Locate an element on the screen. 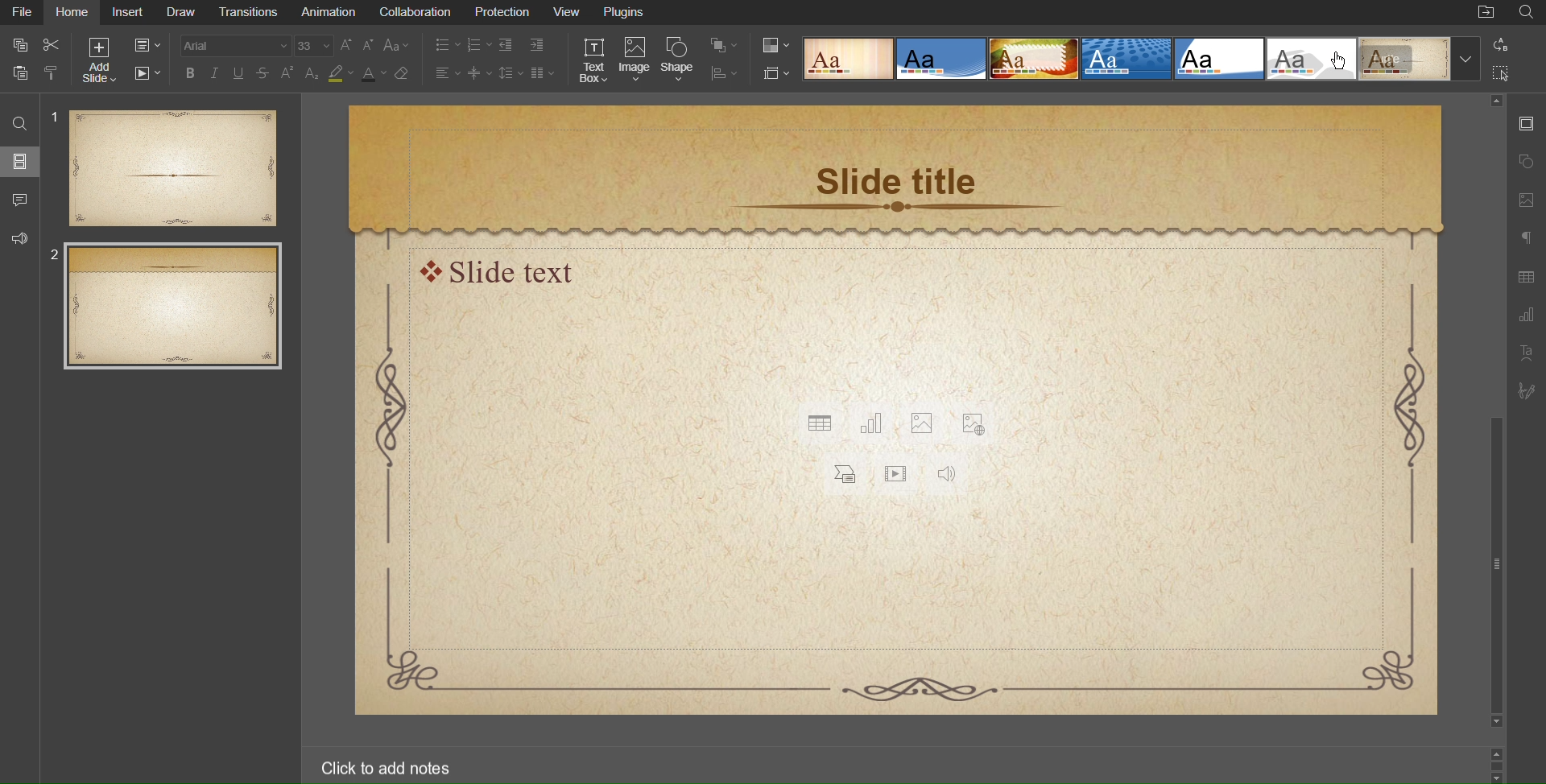  mouse pointer is located at coordinates (1343, 62).